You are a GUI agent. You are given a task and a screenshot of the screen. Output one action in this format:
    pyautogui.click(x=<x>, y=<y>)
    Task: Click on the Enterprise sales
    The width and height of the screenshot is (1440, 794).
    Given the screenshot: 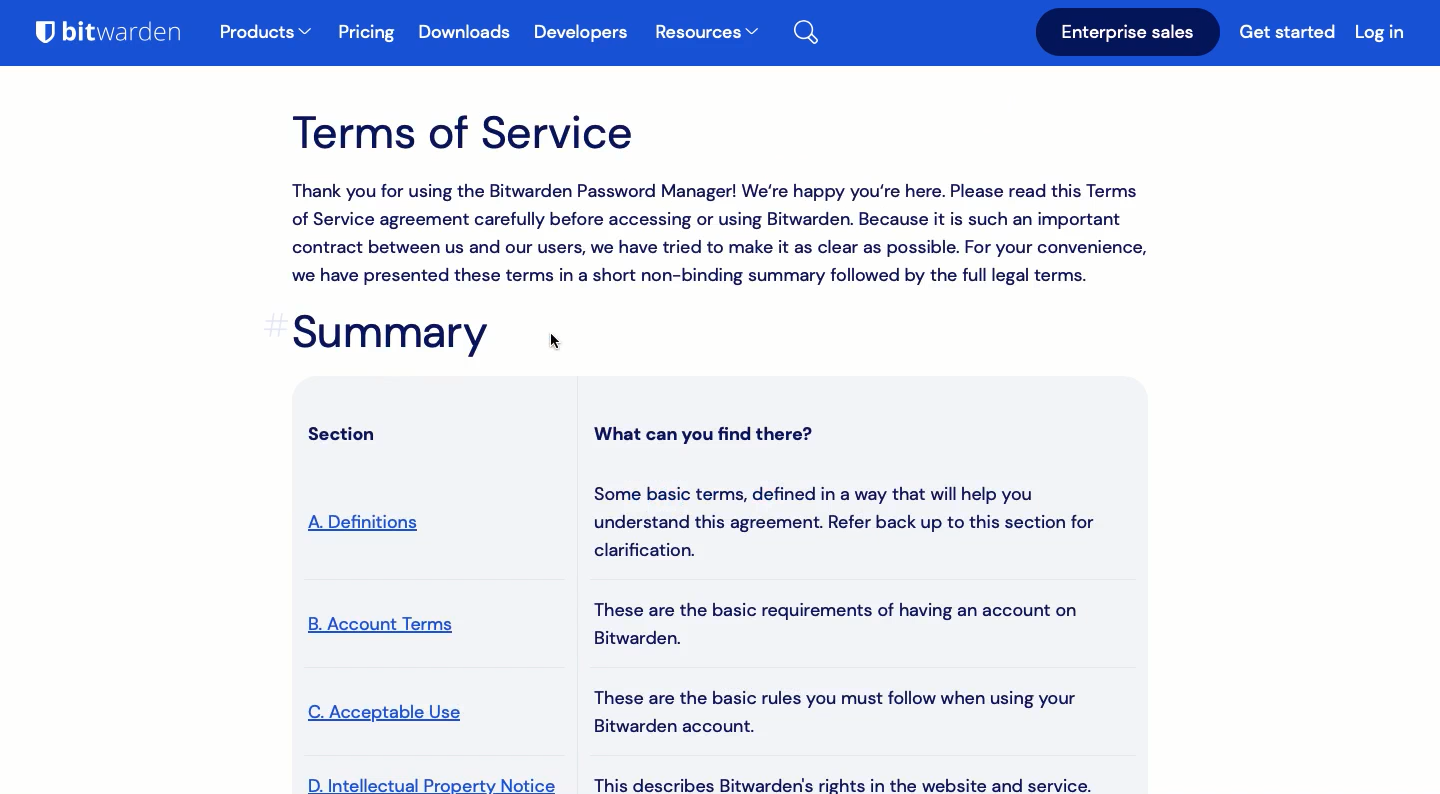 What is the action you would take?
    pyautogui.click(x=1128, y=33)
    